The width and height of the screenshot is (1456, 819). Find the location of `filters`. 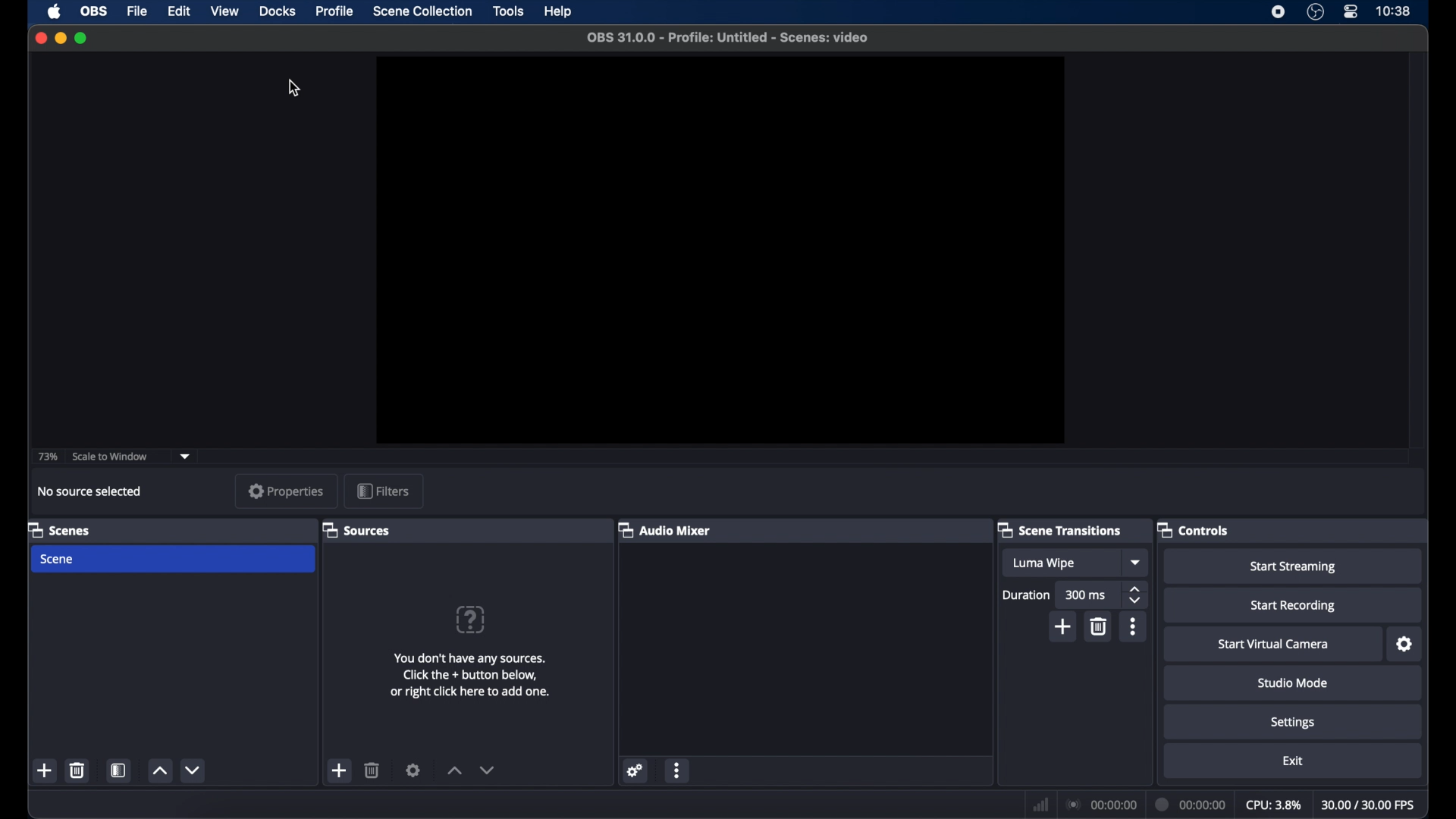

filters is located at coordinates (382, 491).